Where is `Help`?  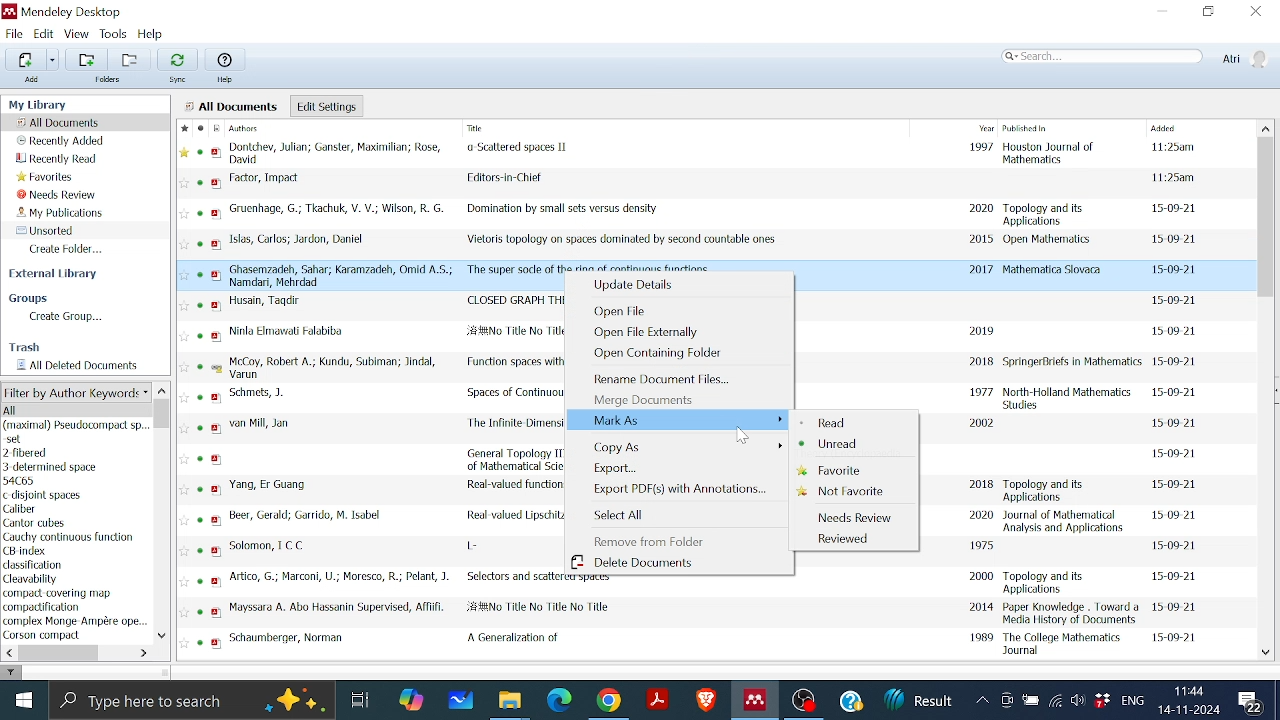 Help is located at coordinates (223, 67).